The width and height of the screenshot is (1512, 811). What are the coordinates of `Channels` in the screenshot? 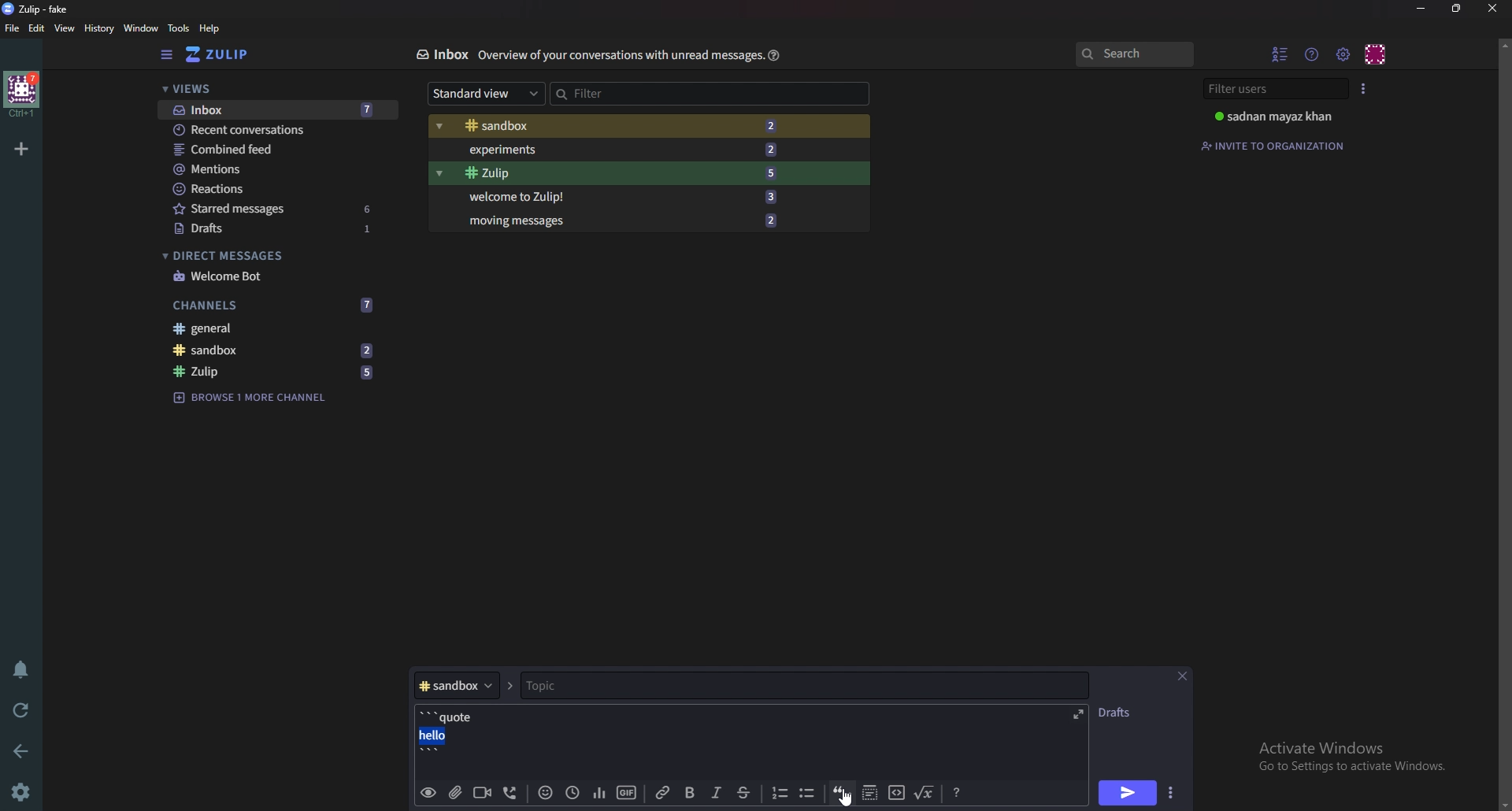 It's located at (241, 306).